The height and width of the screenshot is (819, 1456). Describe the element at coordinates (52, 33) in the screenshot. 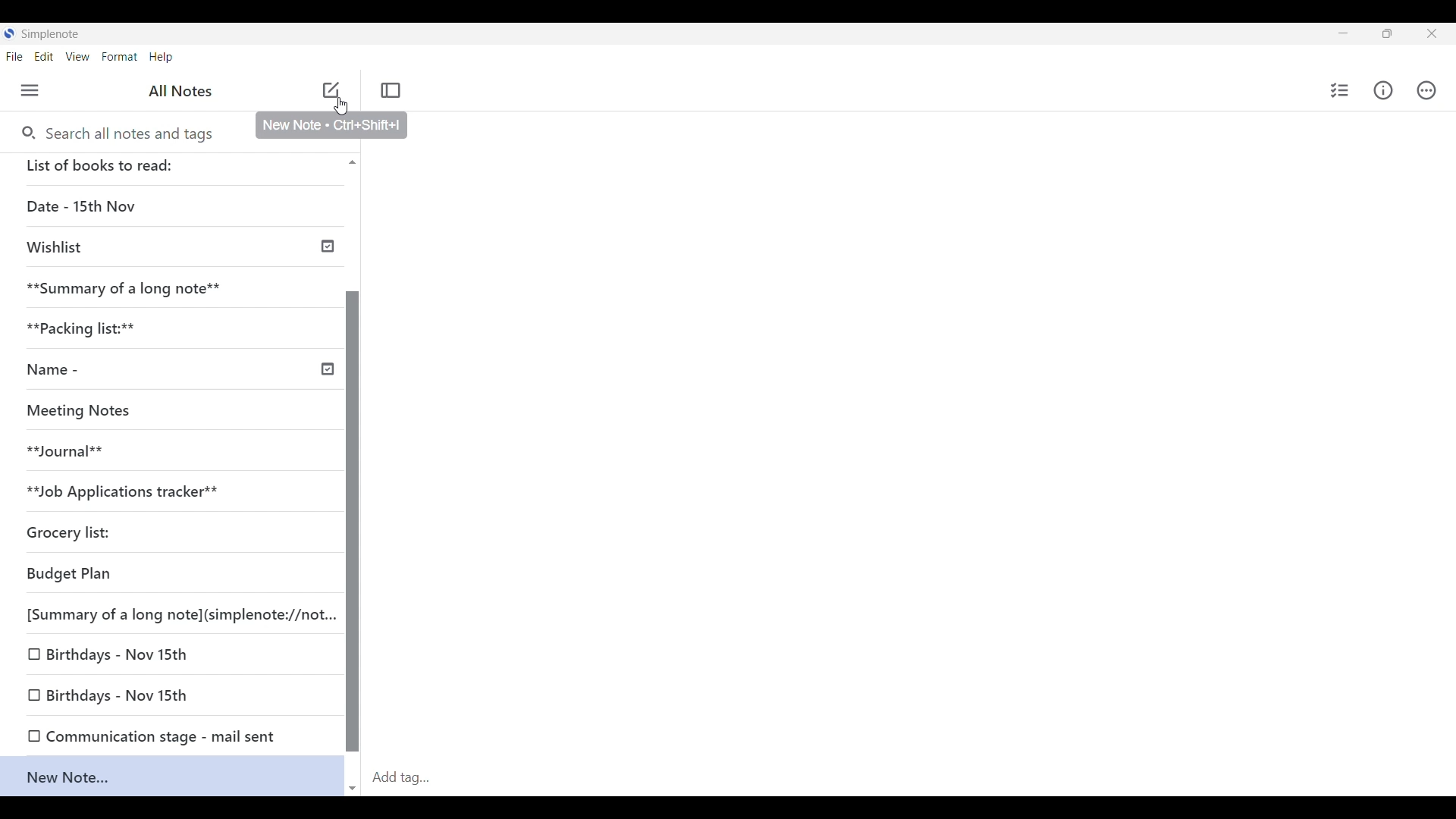

I see `Simple note` at that location.